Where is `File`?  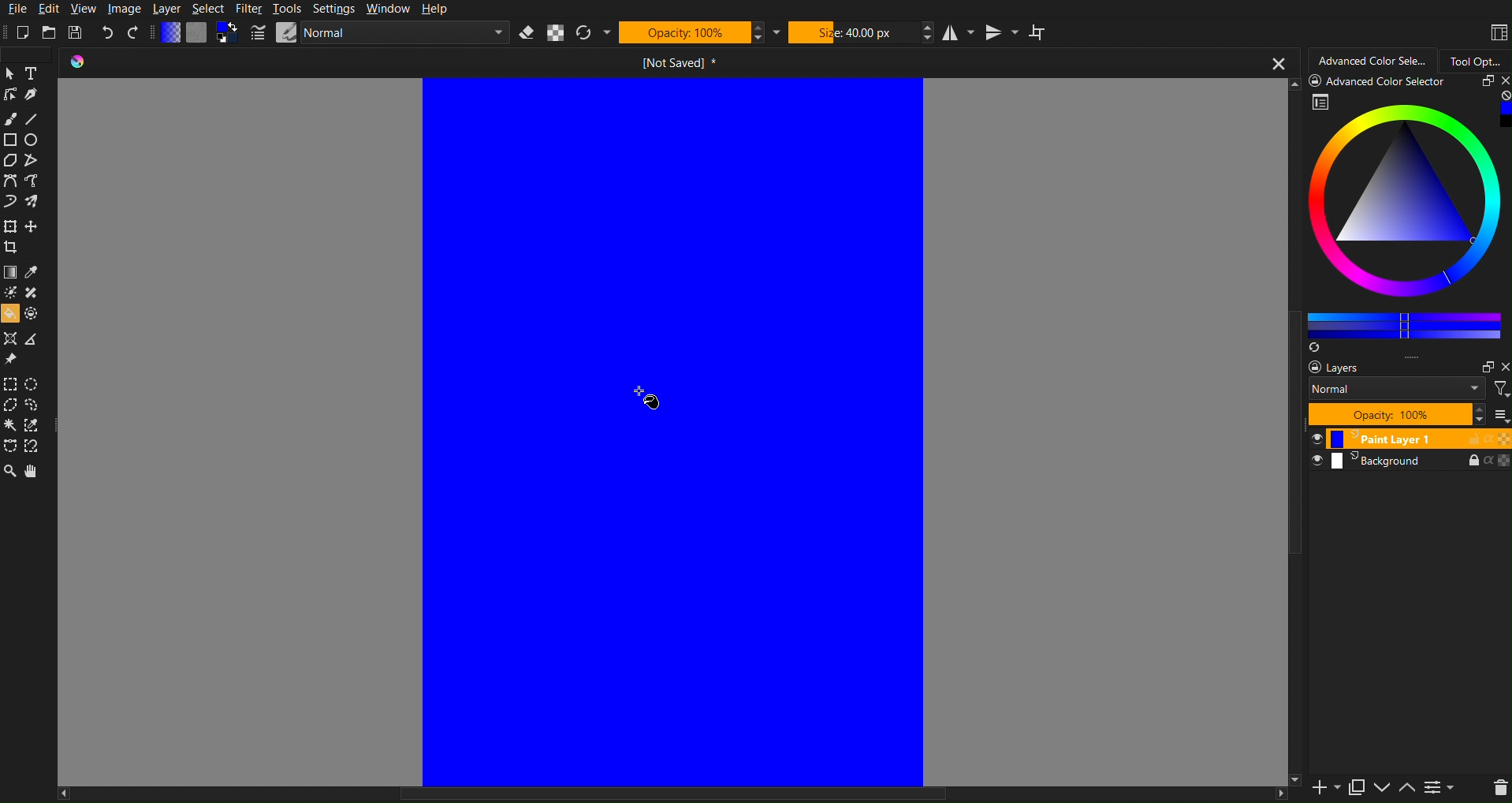 File is located at coordinates (16, 9).